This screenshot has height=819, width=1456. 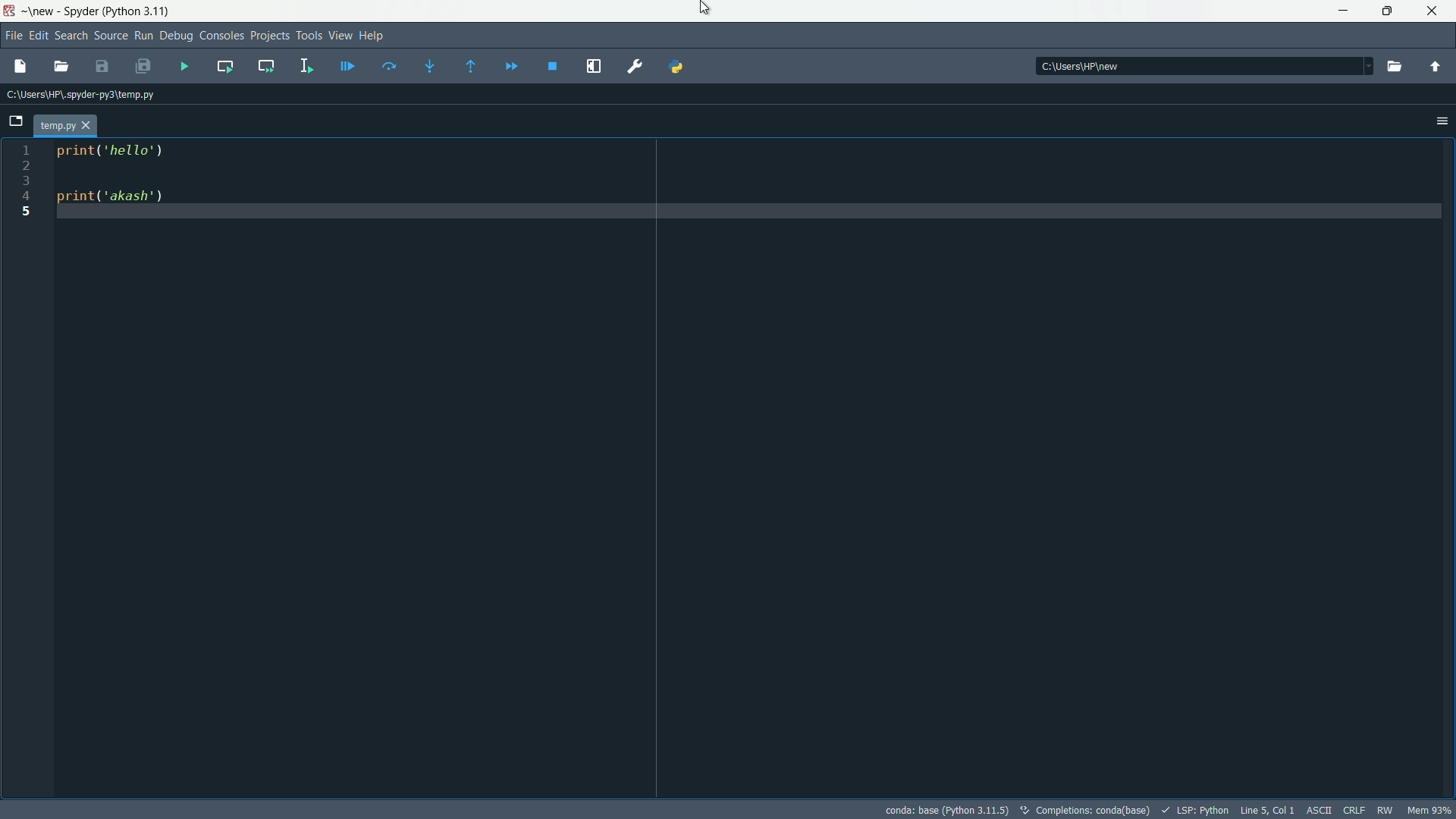 What do you see at coordinates (224, 35) in the screenshot?
I see `consoles menu` at bounding box center [224, 35].